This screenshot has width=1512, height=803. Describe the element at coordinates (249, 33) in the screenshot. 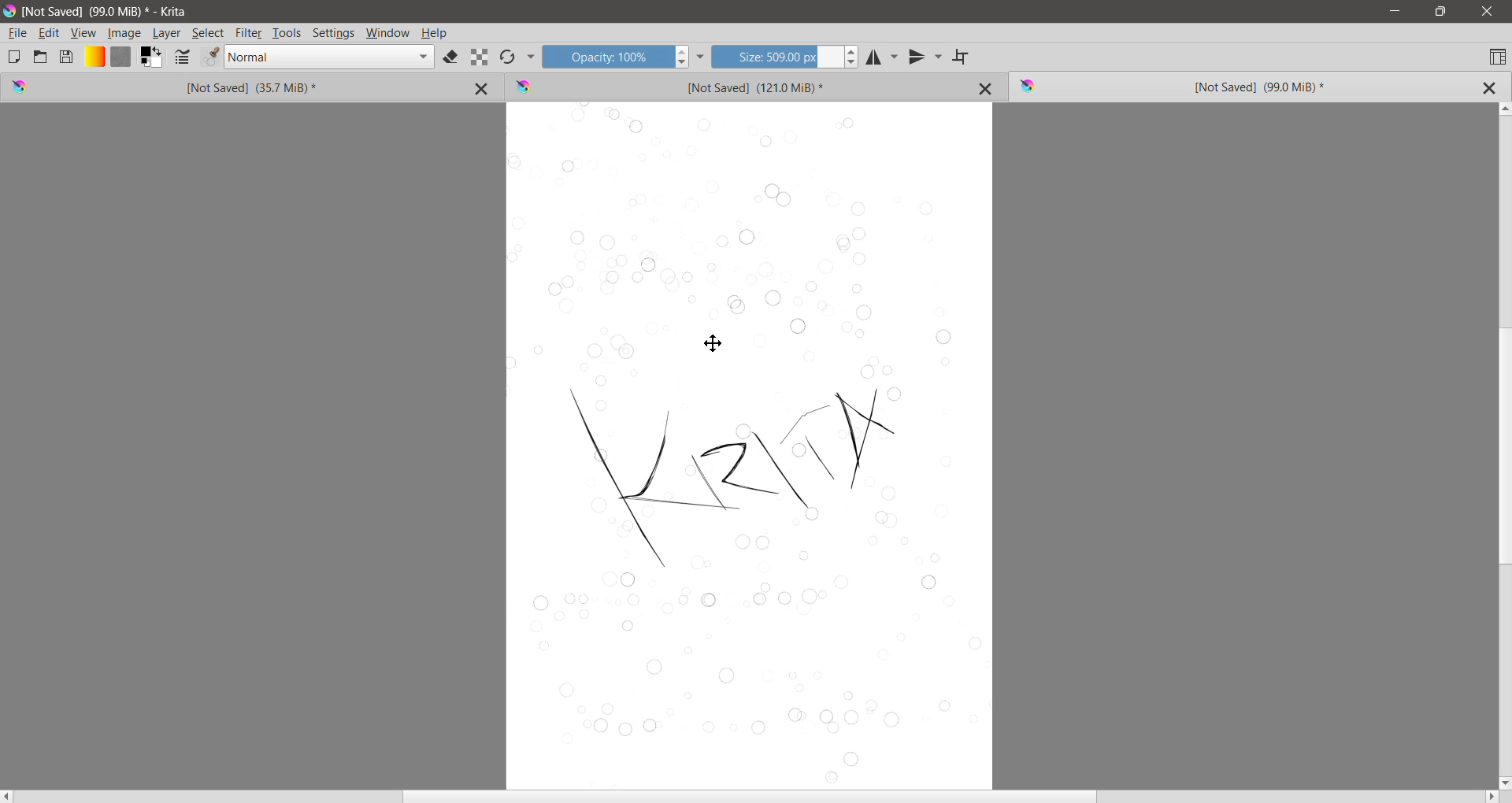

I see `Filter` at that location.